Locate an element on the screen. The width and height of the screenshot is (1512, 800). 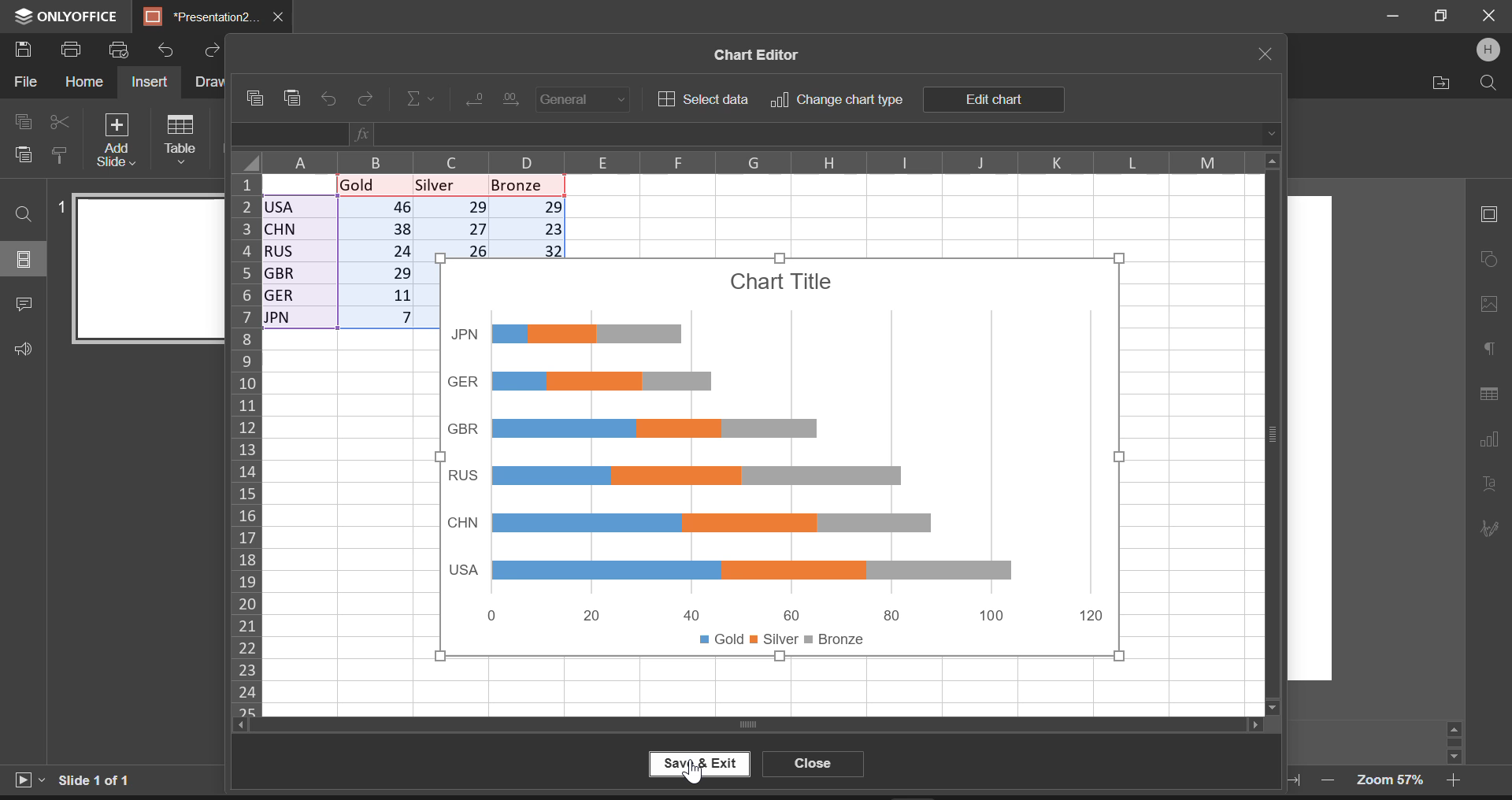
Slide 1 is located at coordinates (140, 267).